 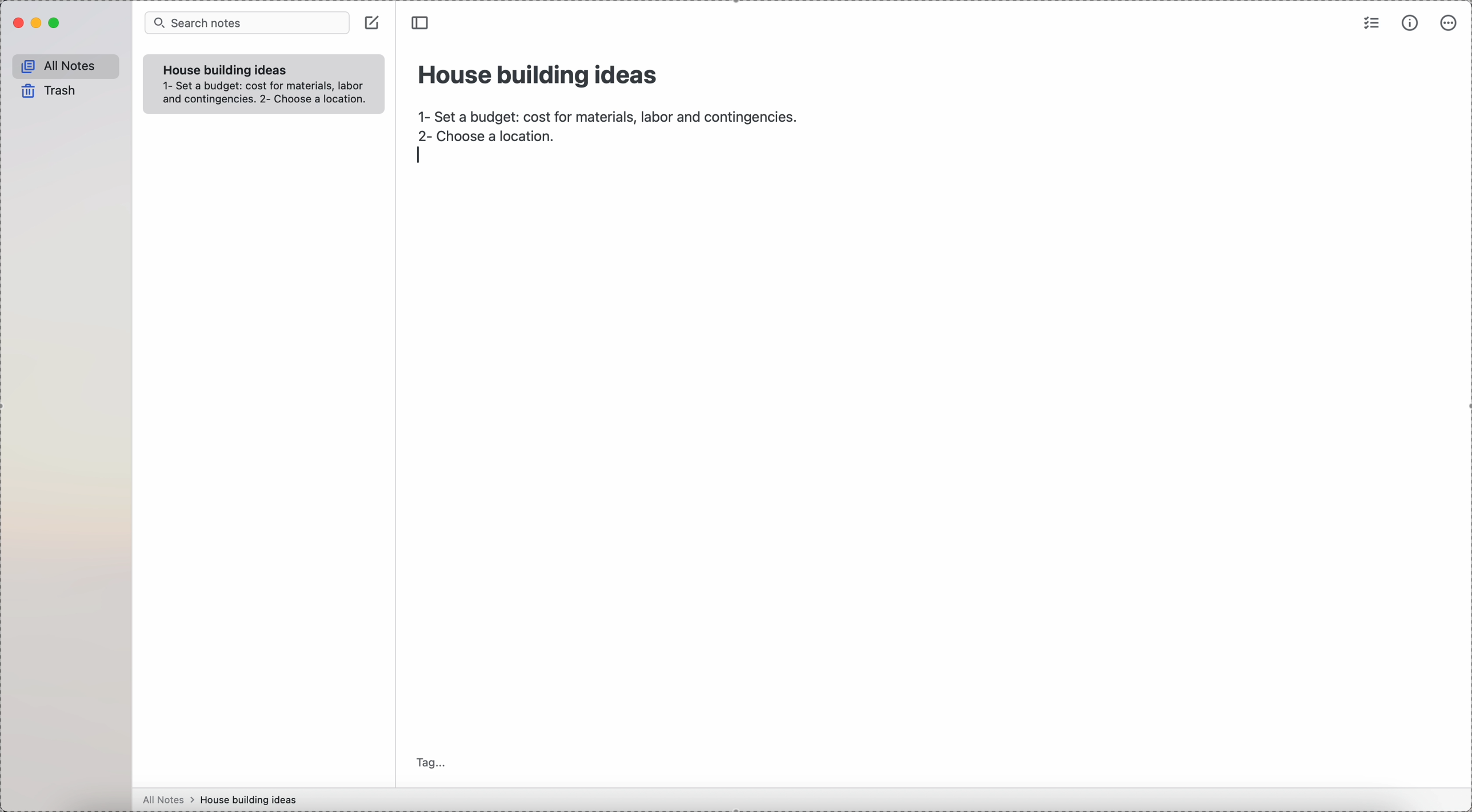 I want to click on tag, so click(x=433, y=762).